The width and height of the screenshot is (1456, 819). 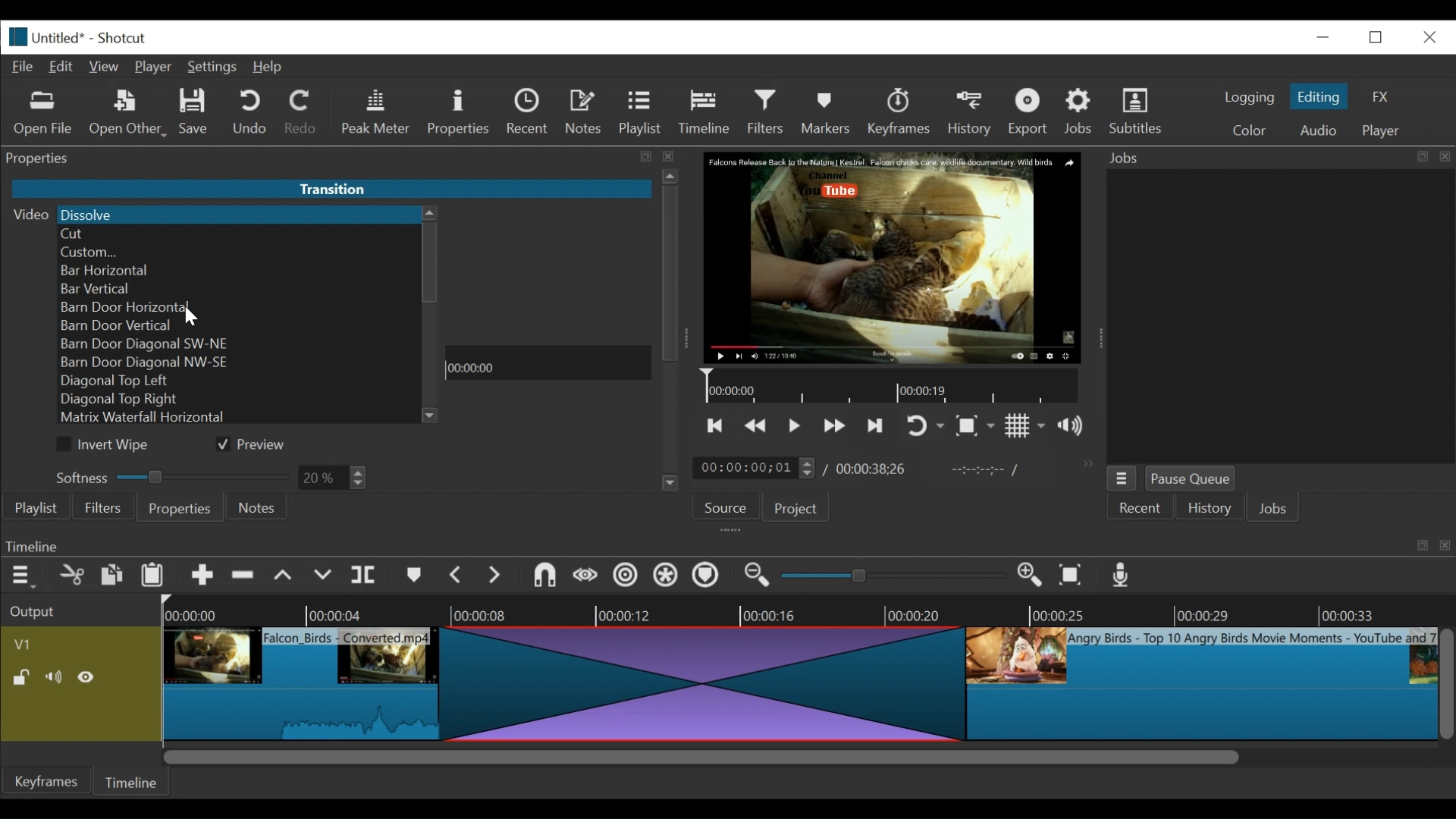 What do you see at coordinates (190, 316) in the screenshot?
I see `Cursor` at bounding box center [190, 316].